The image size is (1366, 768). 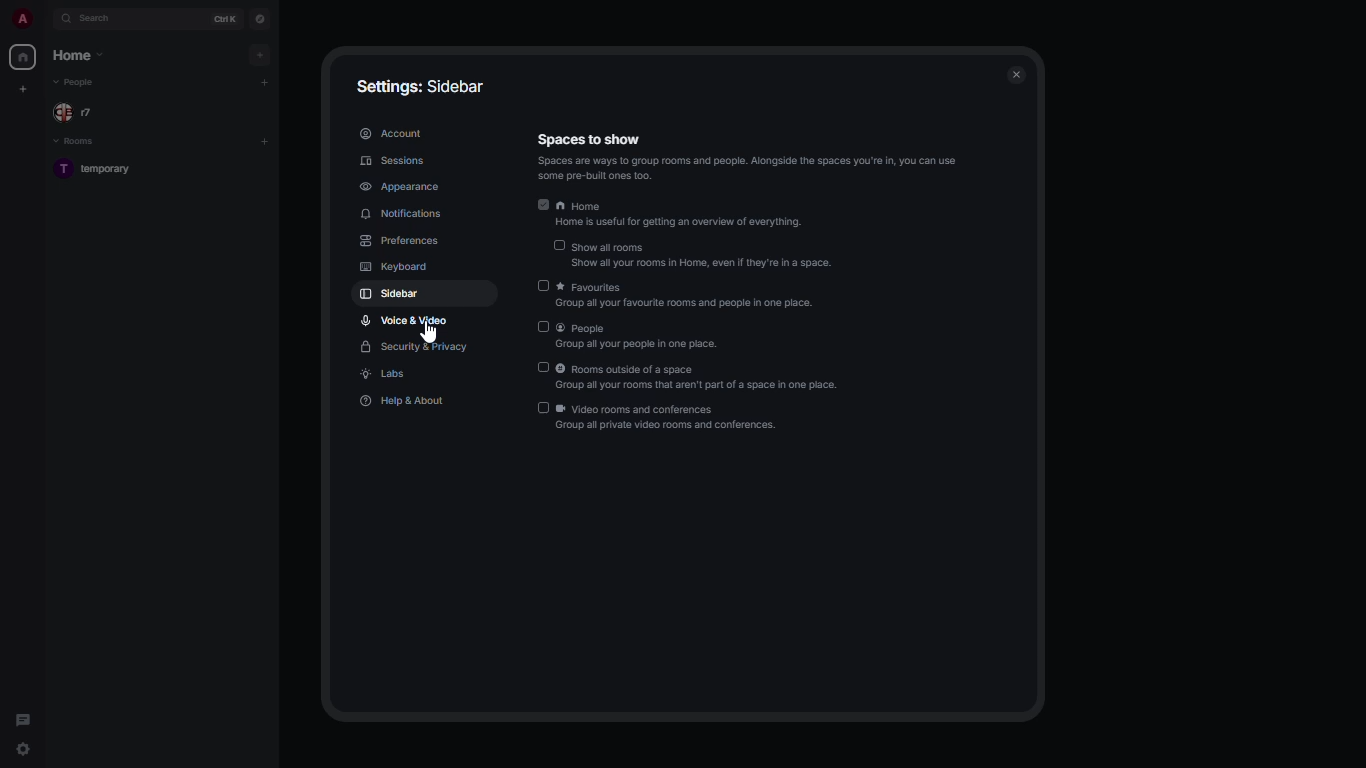 What do you see at coordinates (78, 82) in the screenshot?
I see `people` at bounding box center [78, 82].